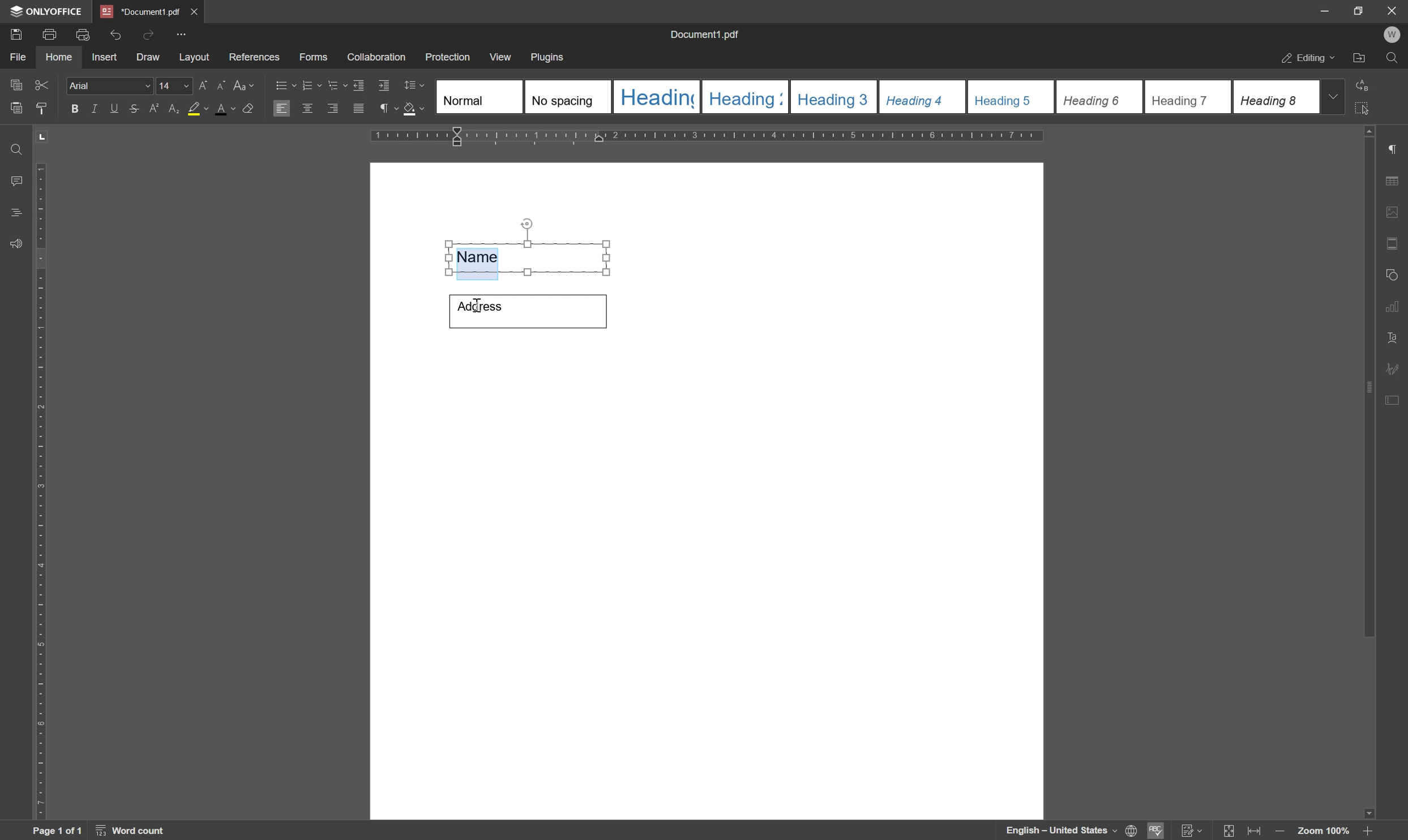  I want to click on print, so click(49, 35).